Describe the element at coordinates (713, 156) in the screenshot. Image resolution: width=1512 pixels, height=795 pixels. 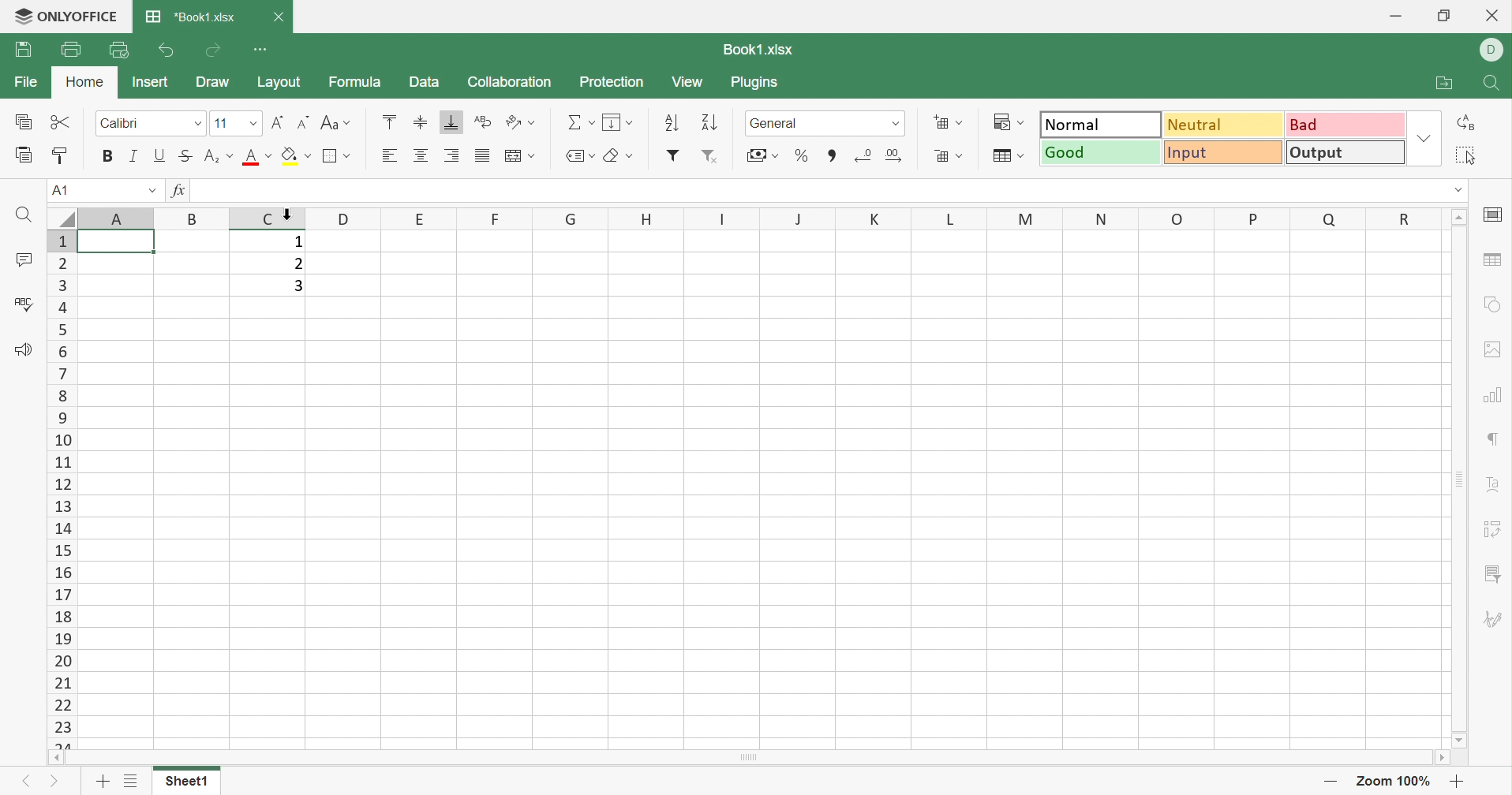
I see `Remove filter` at that location.